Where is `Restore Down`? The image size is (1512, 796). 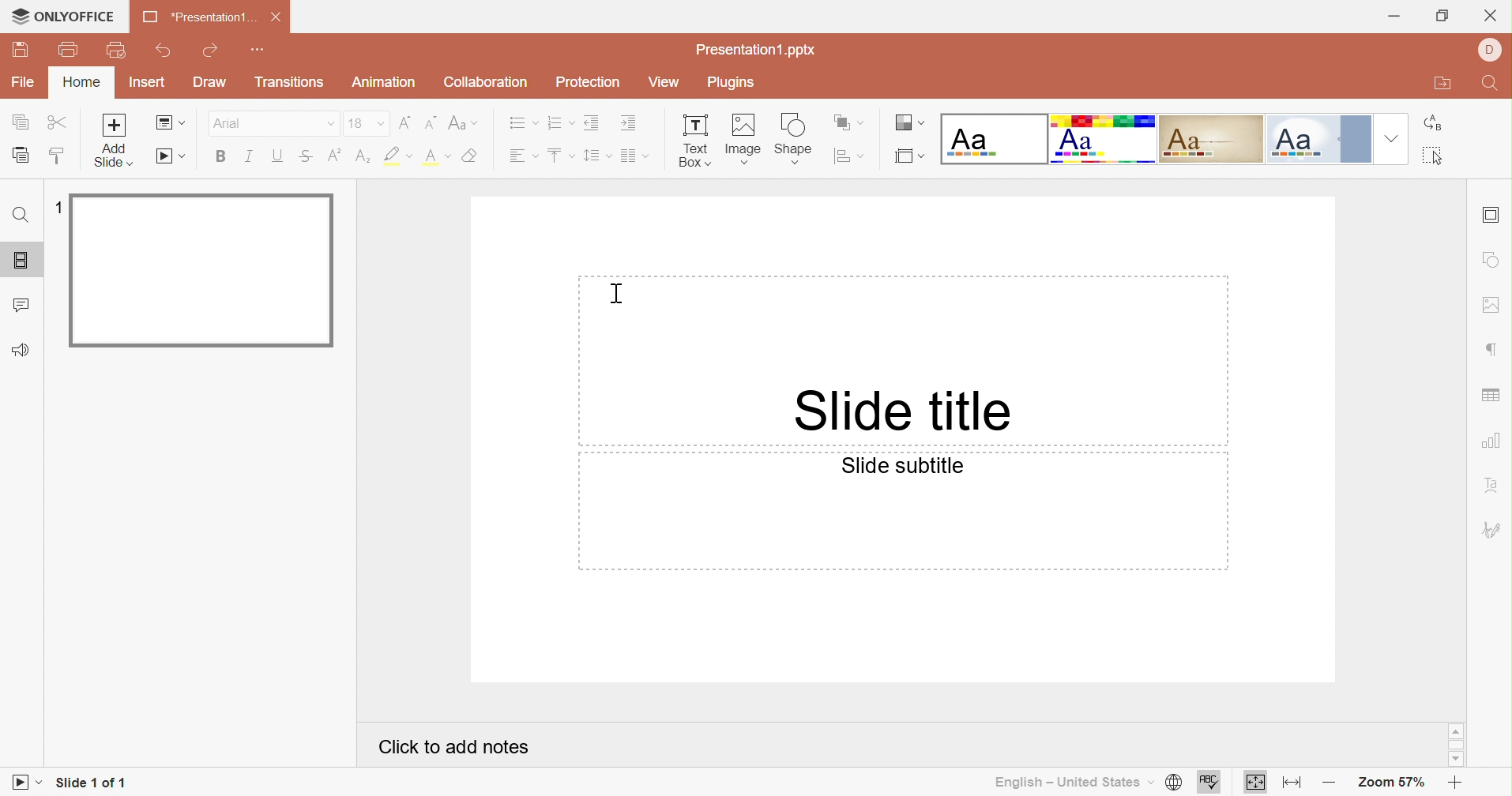
Restore Down is located at coordinates (1442, 17).